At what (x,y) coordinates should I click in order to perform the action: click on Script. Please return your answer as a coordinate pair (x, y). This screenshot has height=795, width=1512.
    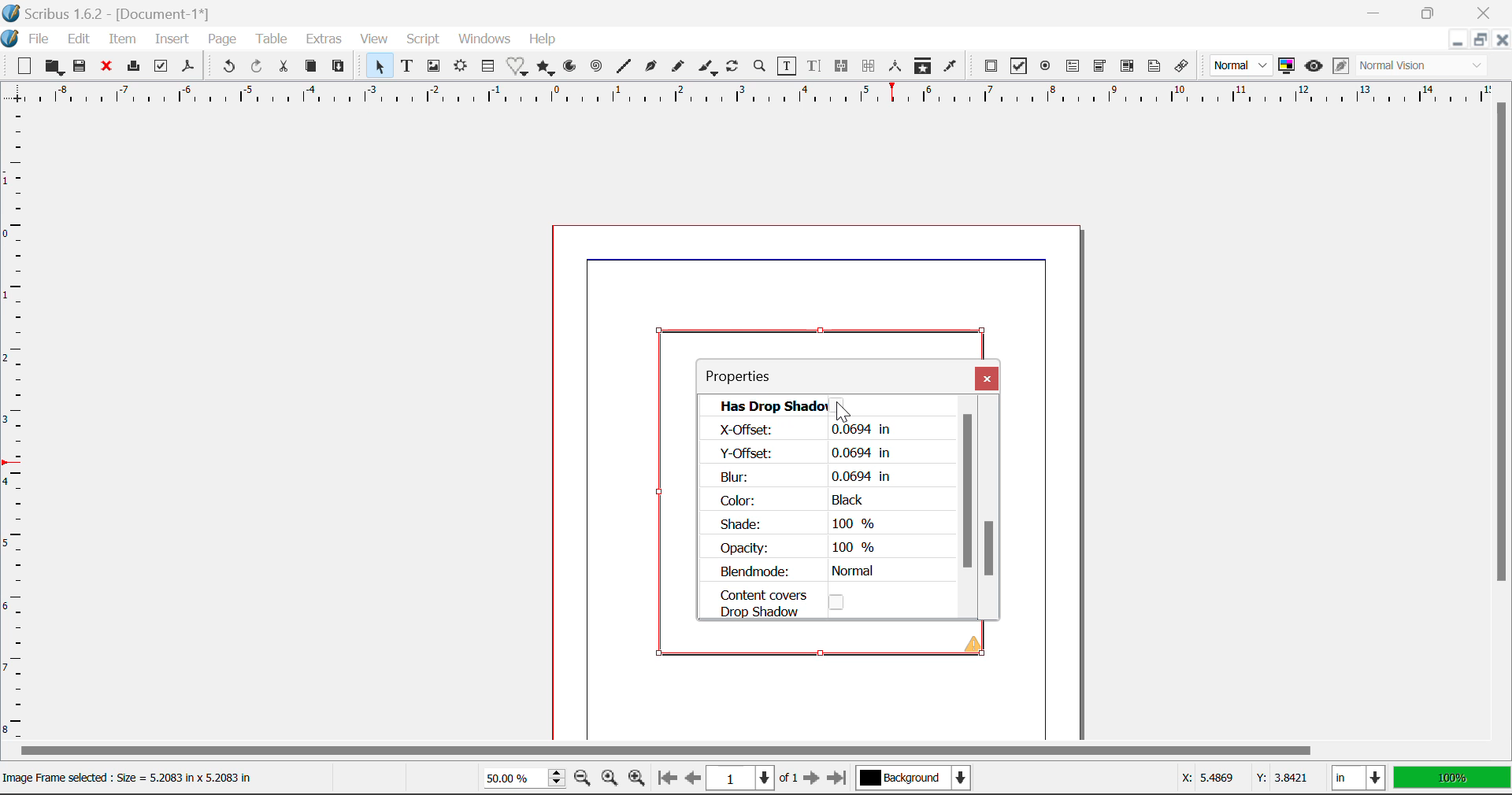
    Looking at the image, I should click on (424, 38).